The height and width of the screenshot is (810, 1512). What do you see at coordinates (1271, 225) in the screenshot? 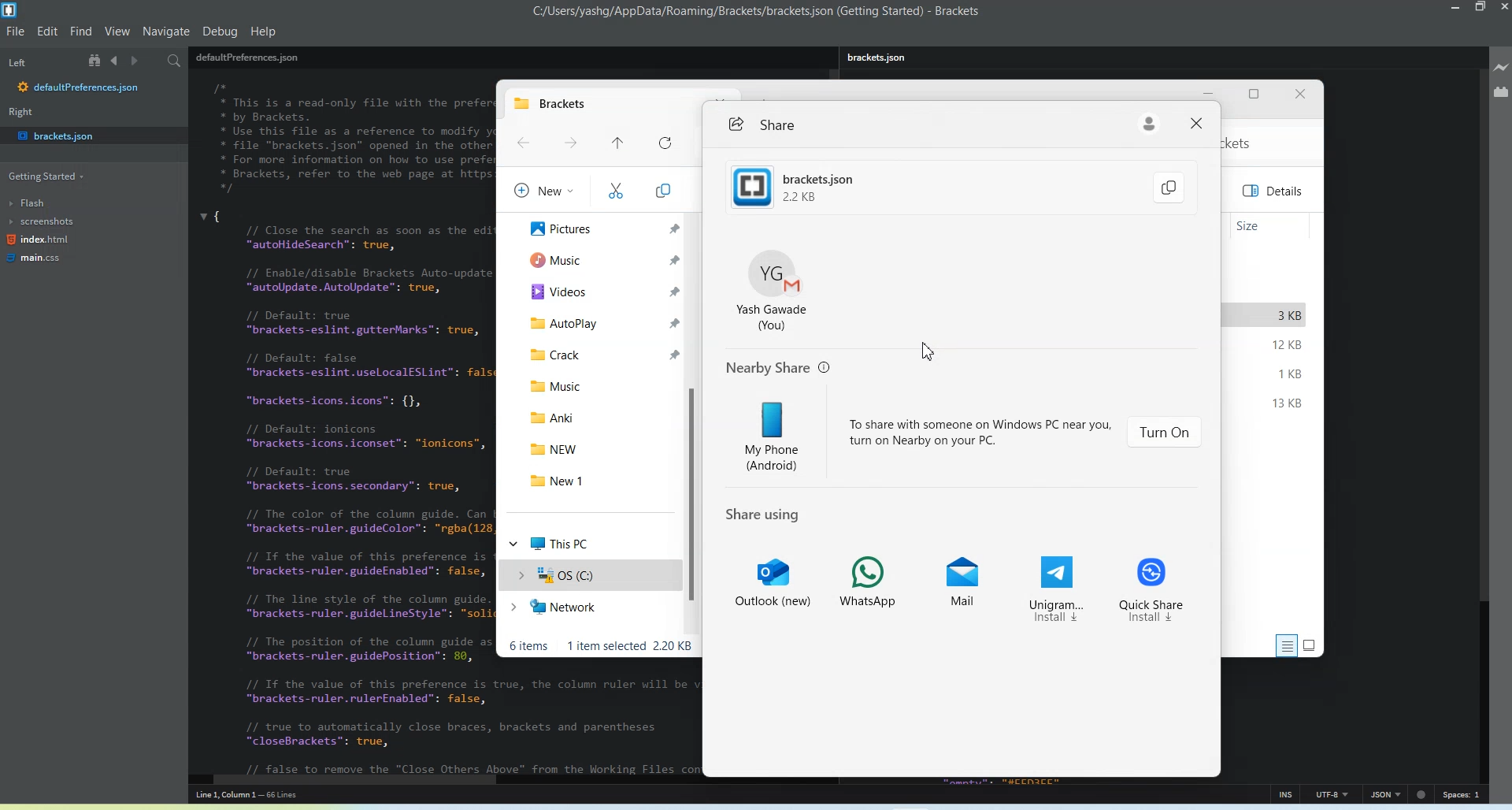
I see `Size` at bounding box center [1271, 225].